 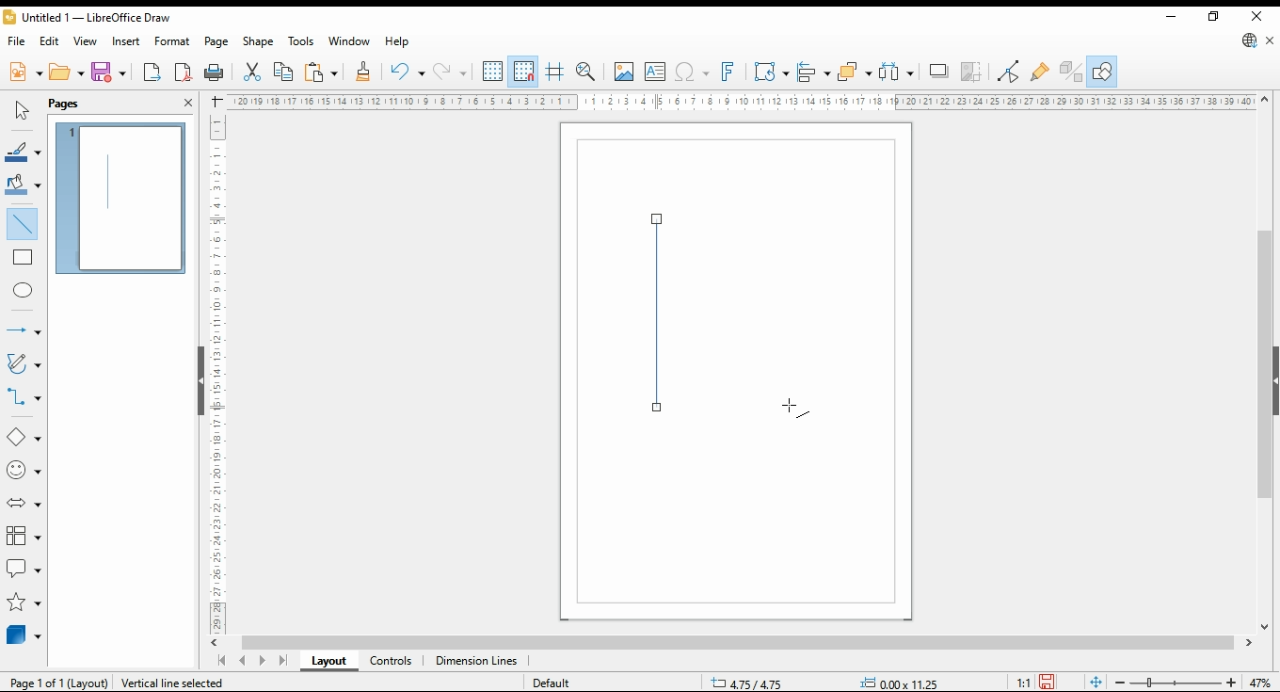 I want to click on page 1 of 1, so click(x=55, y=683).